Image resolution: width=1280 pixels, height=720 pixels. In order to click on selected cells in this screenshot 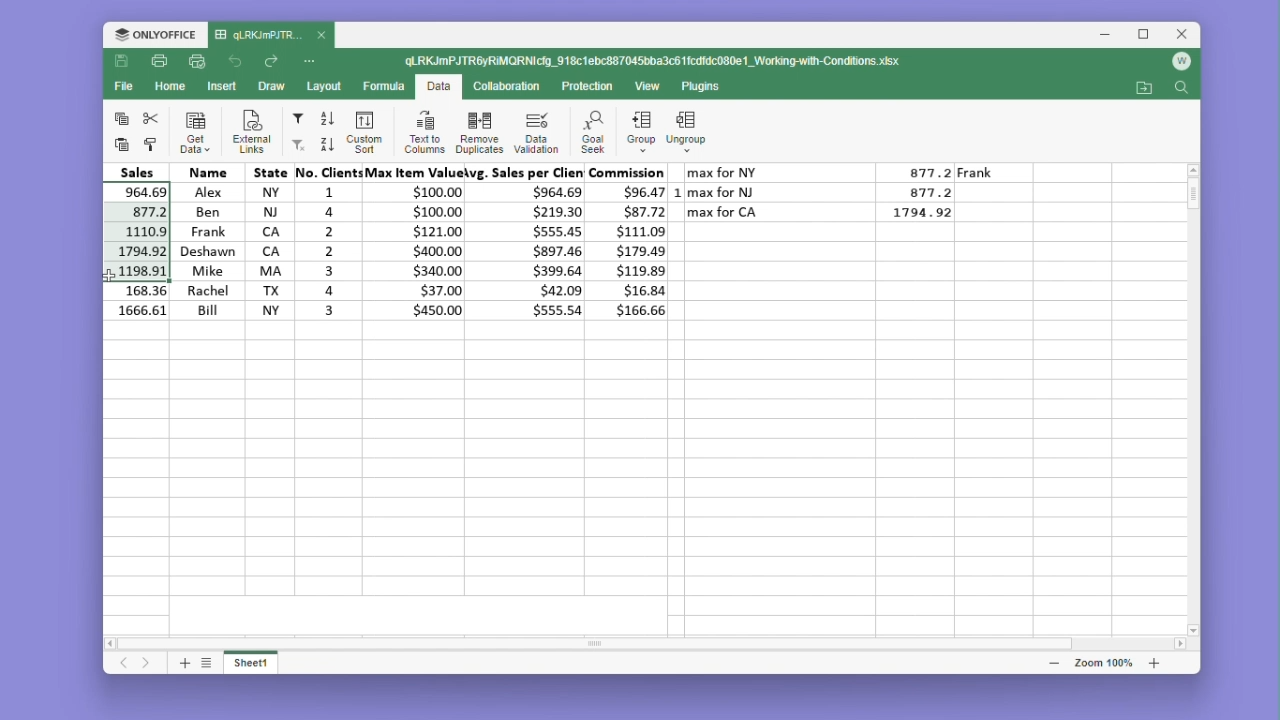, I will do `click(137, 232)`.